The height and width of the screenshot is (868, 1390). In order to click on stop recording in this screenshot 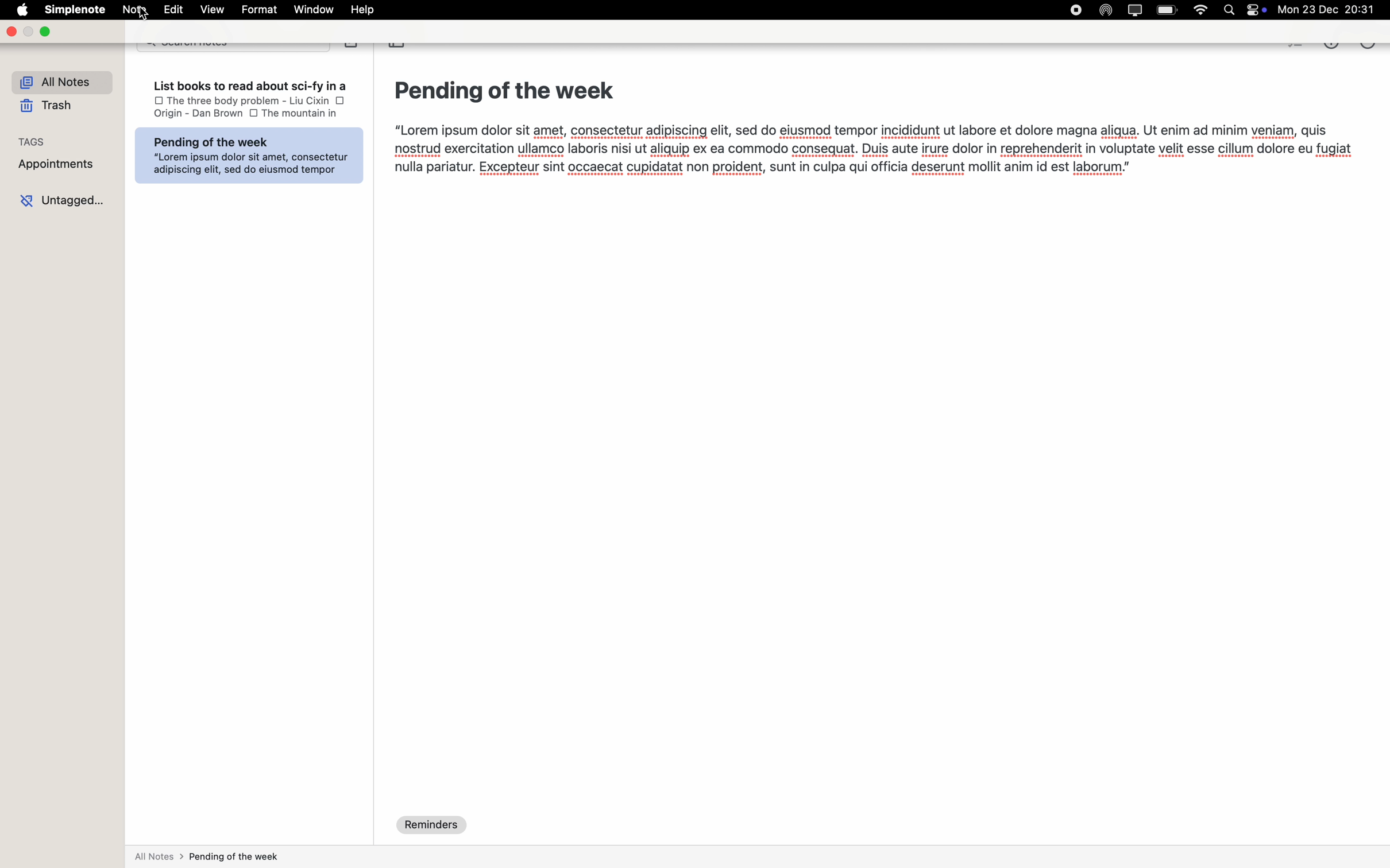, I will do `click(1078, 9)`.